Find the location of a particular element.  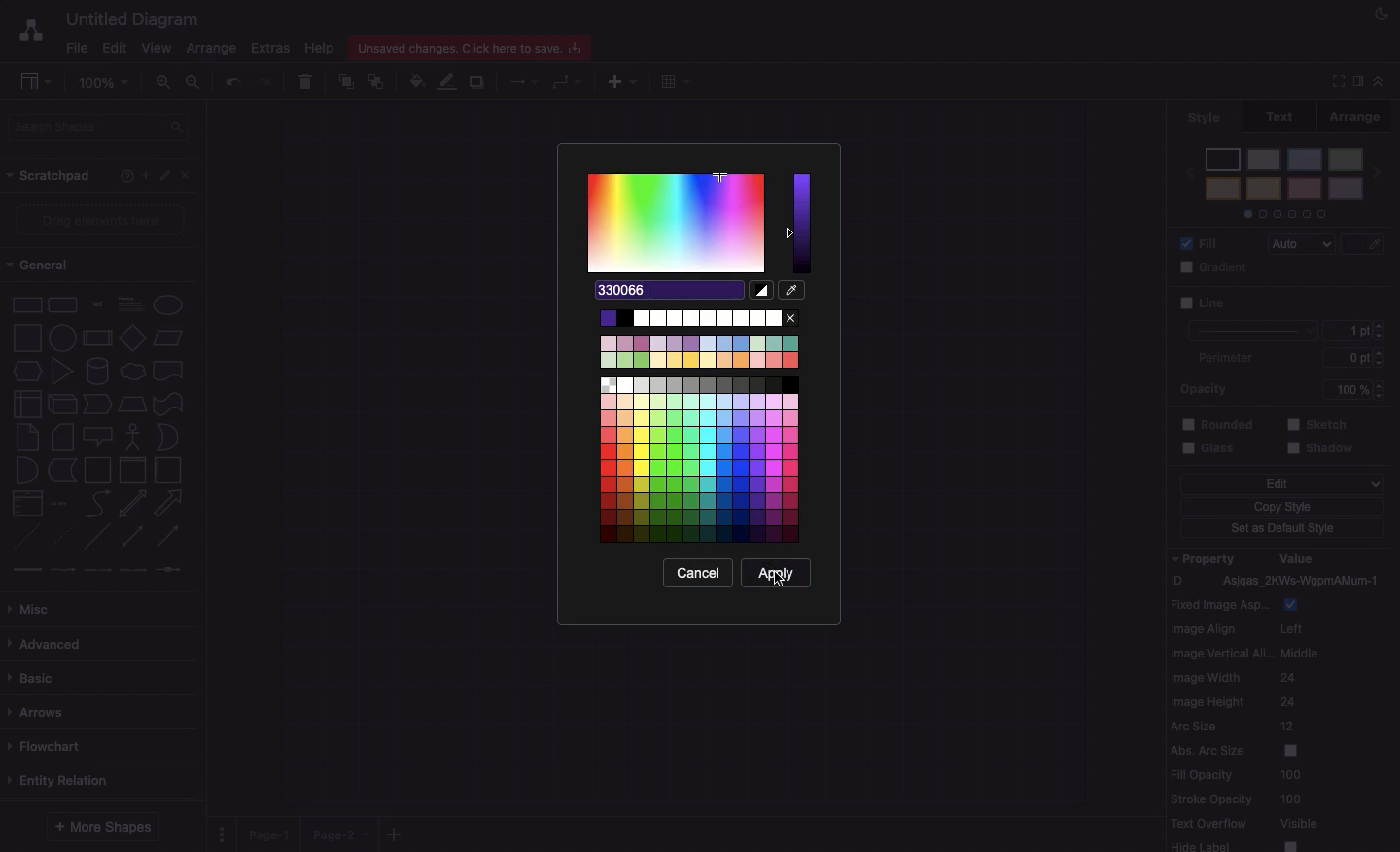

Auto is located at coordinates (1306, 245).